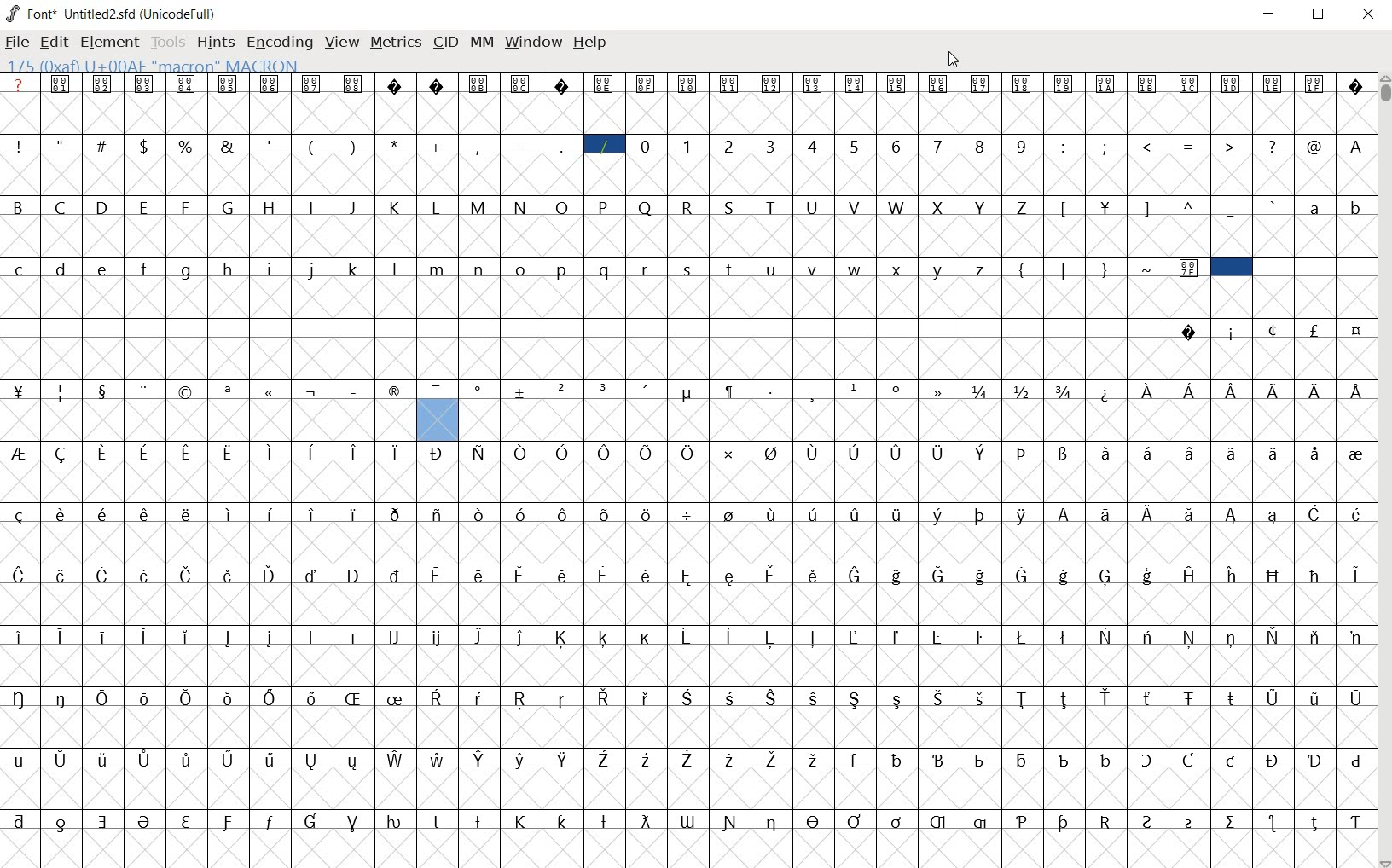 The image size is (1392, 868). I want to click on Symbol, so click(104, 84).